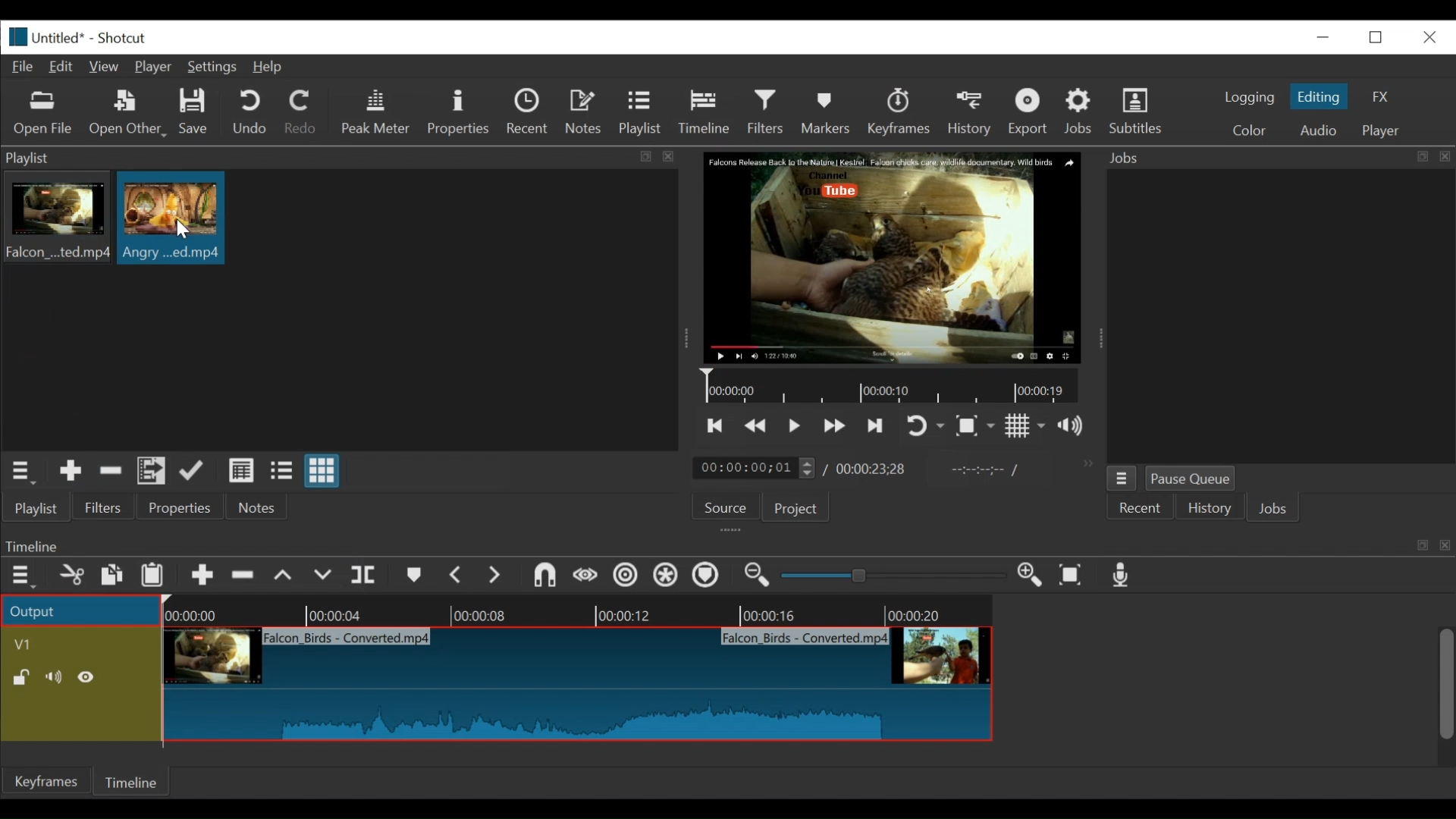  I want to click on Help, so click(268, 67).